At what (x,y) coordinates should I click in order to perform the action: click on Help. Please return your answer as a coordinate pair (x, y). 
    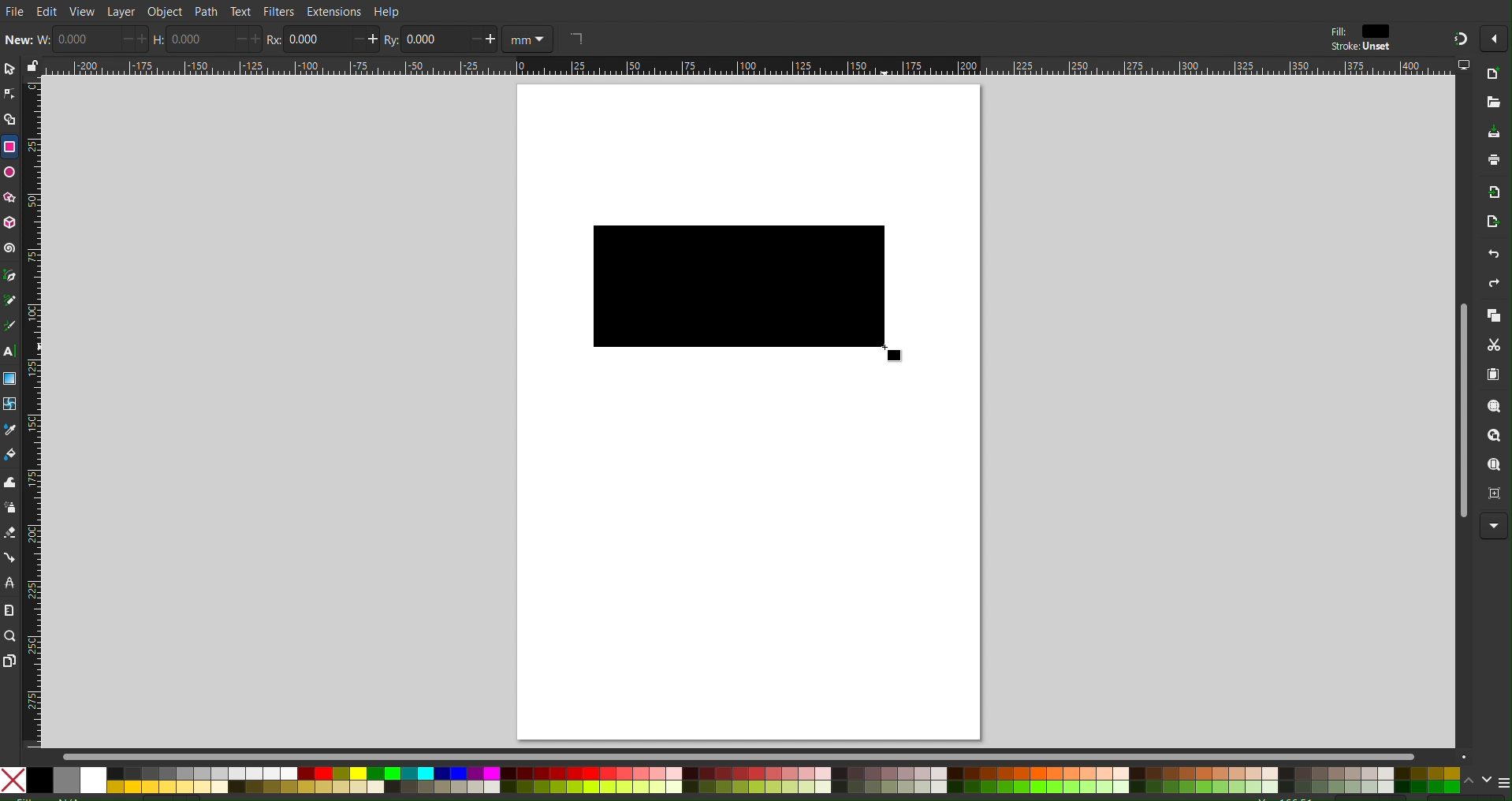
    Looking at the image, I should click on (390, 10).